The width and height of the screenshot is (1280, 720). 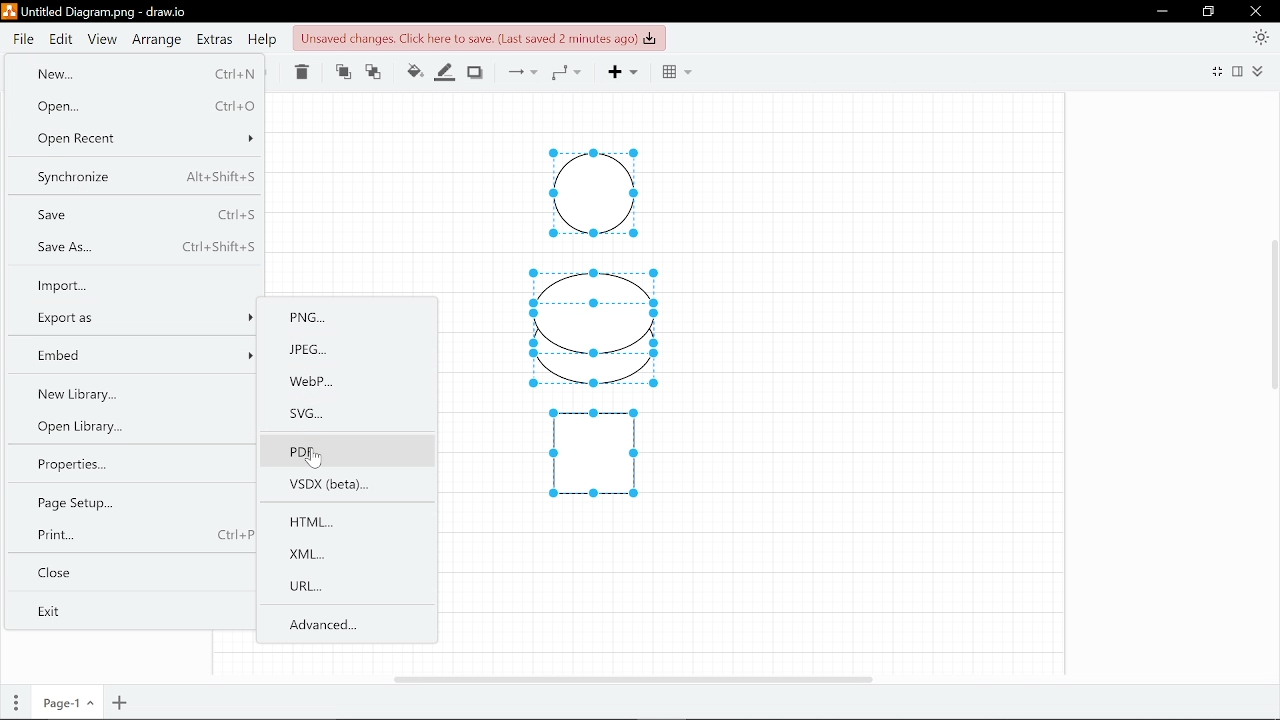 I want to click on Current page, so click(x=66, y=703).